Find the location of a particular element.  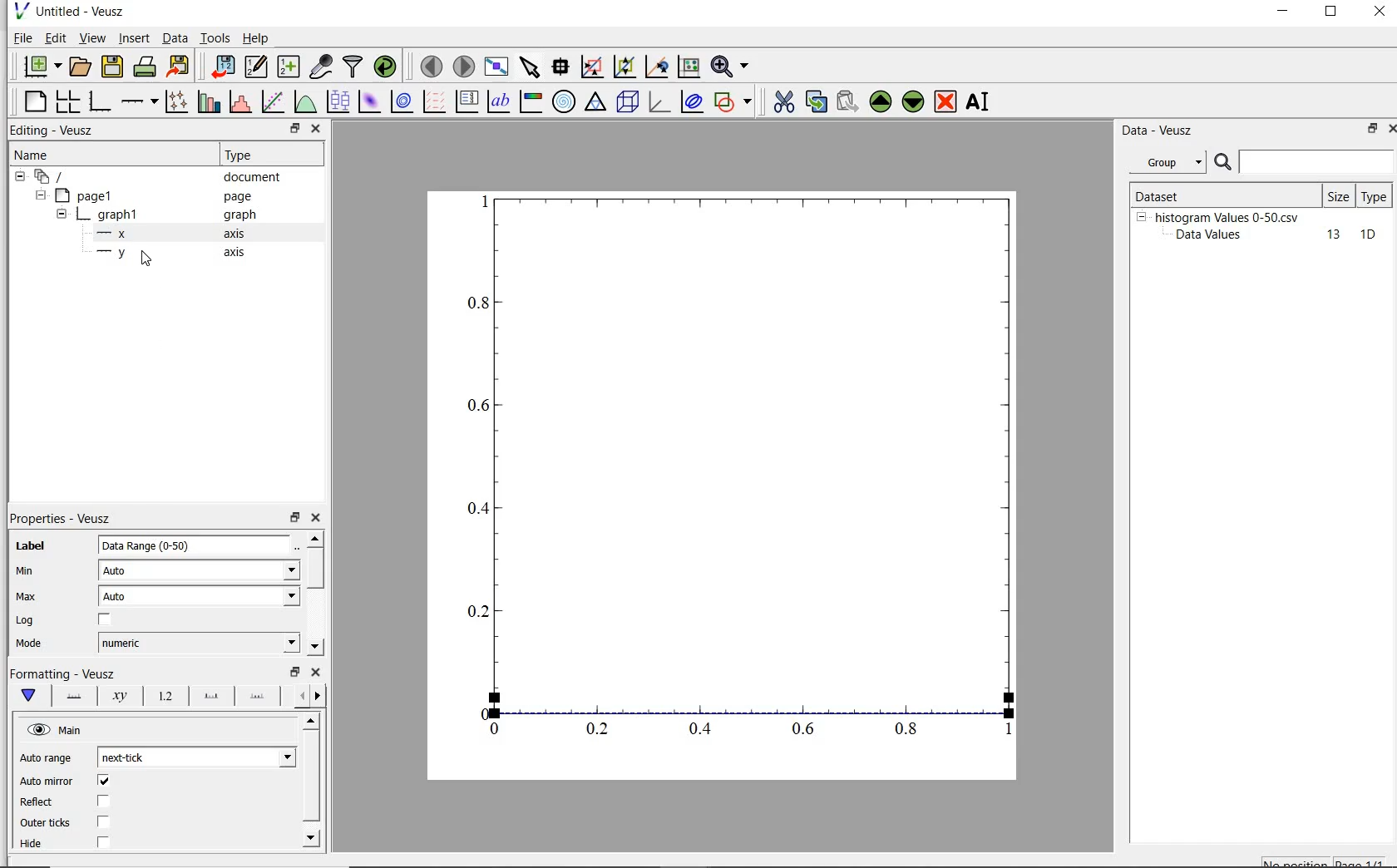

cursor is located at coordinates (145, 260).